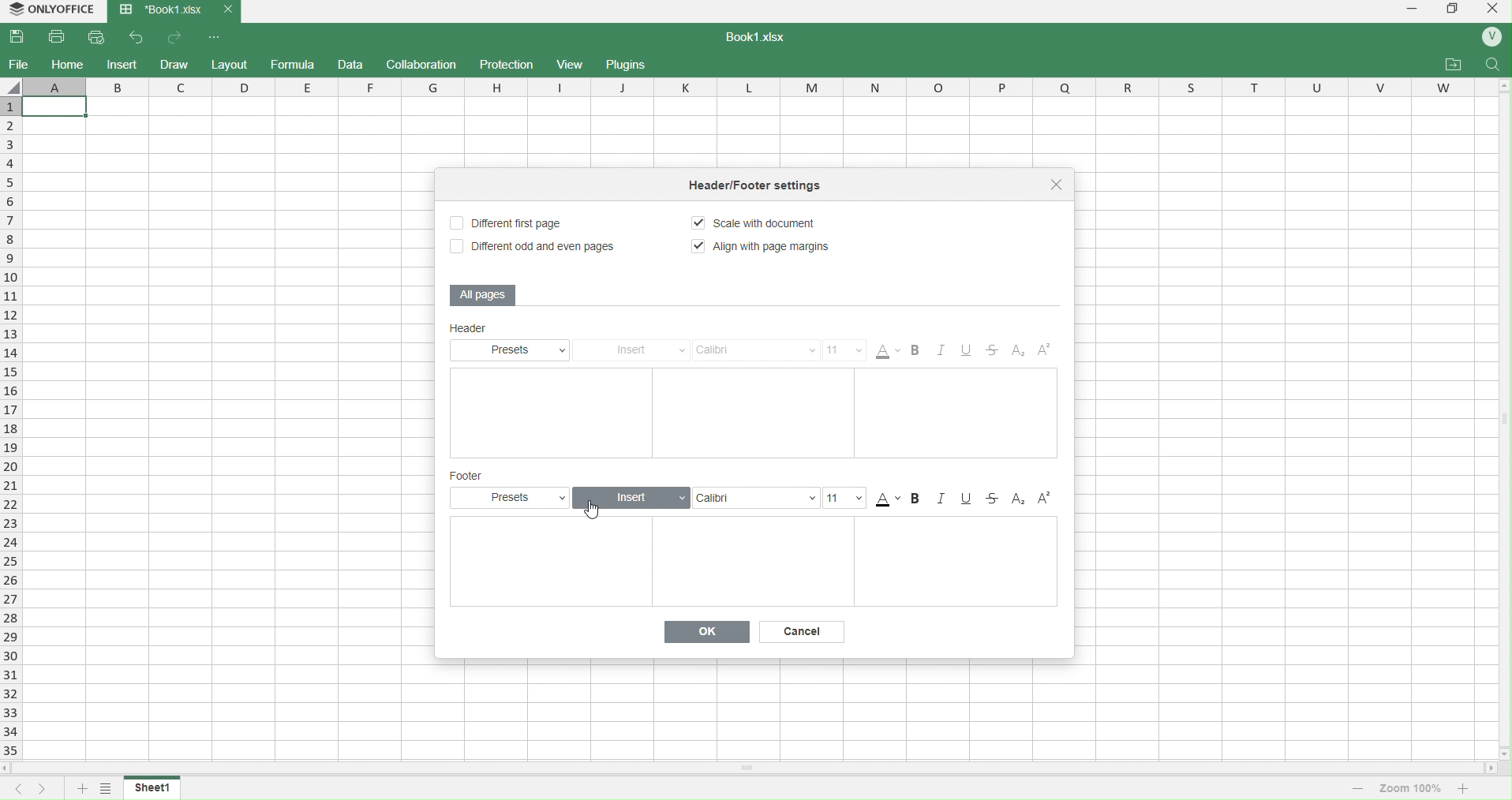 This screenshot has width=1512, height=800. What do you see at coordinates (1491, 11) in the screenshot?
I see `close` at bounding box center [1491, 11].